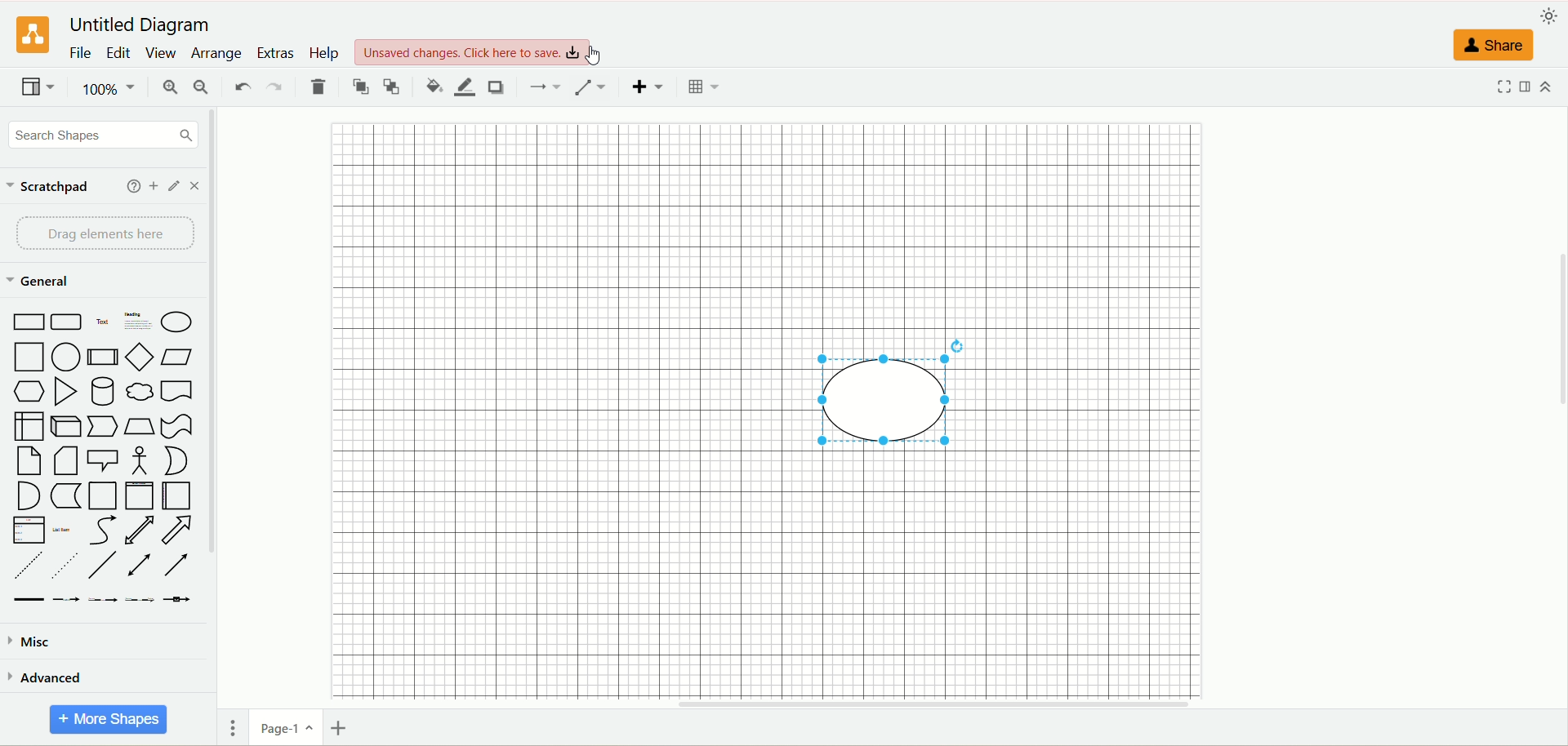 This screenshot has height=746, width=1568. I want to click on card, so click(63, 461).